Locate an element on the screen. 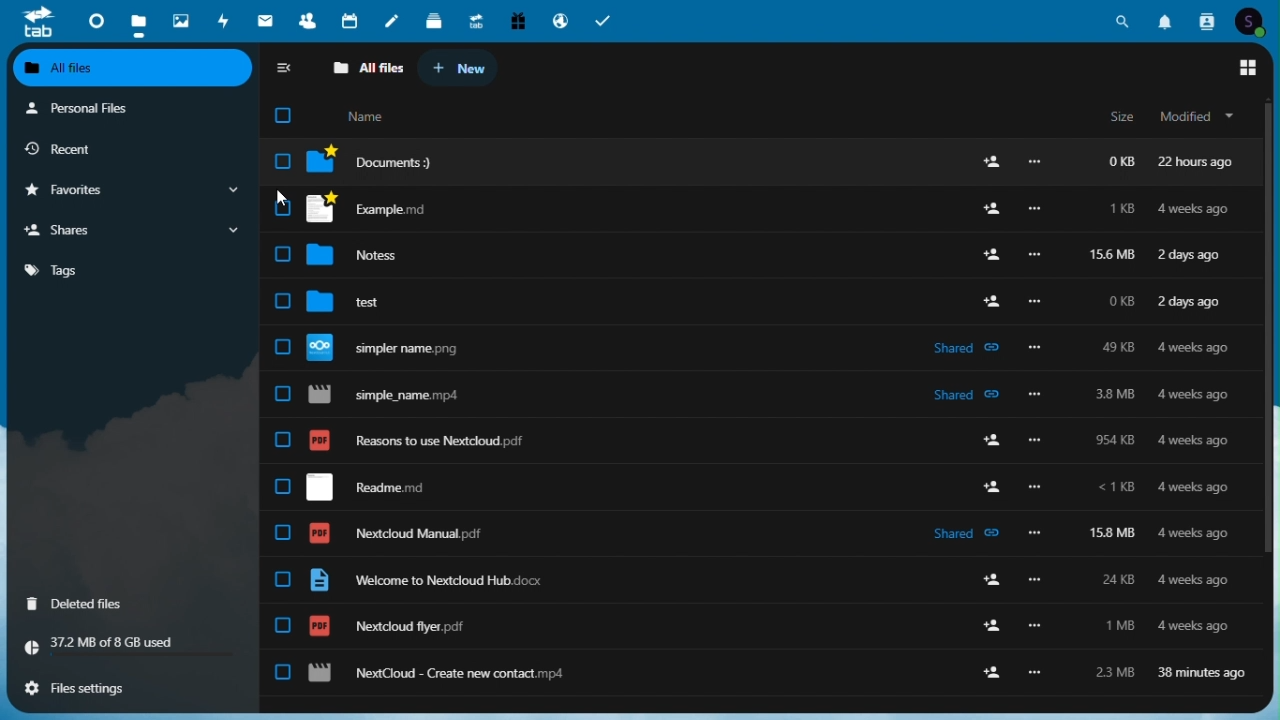 The width and height of the screenshot is (1280, 720). check box is located at coordinates (282, 532).